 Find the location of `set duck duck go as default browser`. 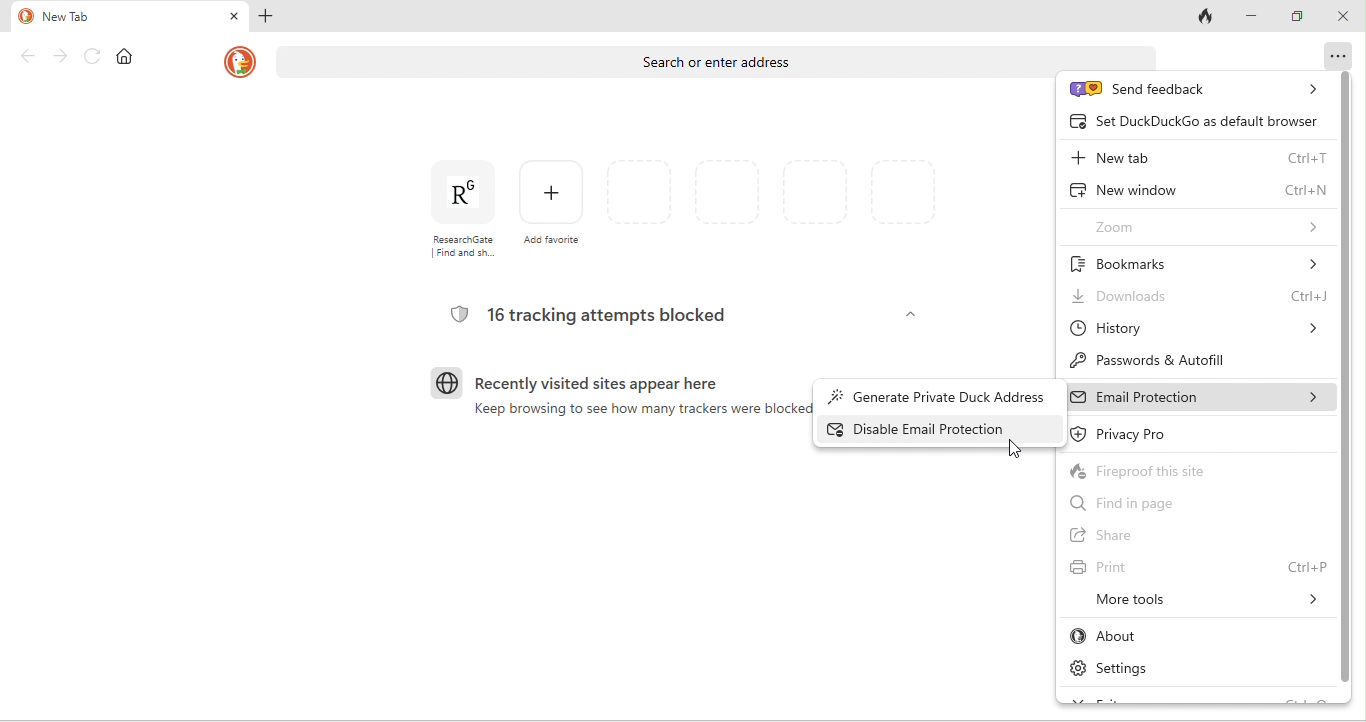

set duck duck go as default browser is located at coordinates (1197, 124).